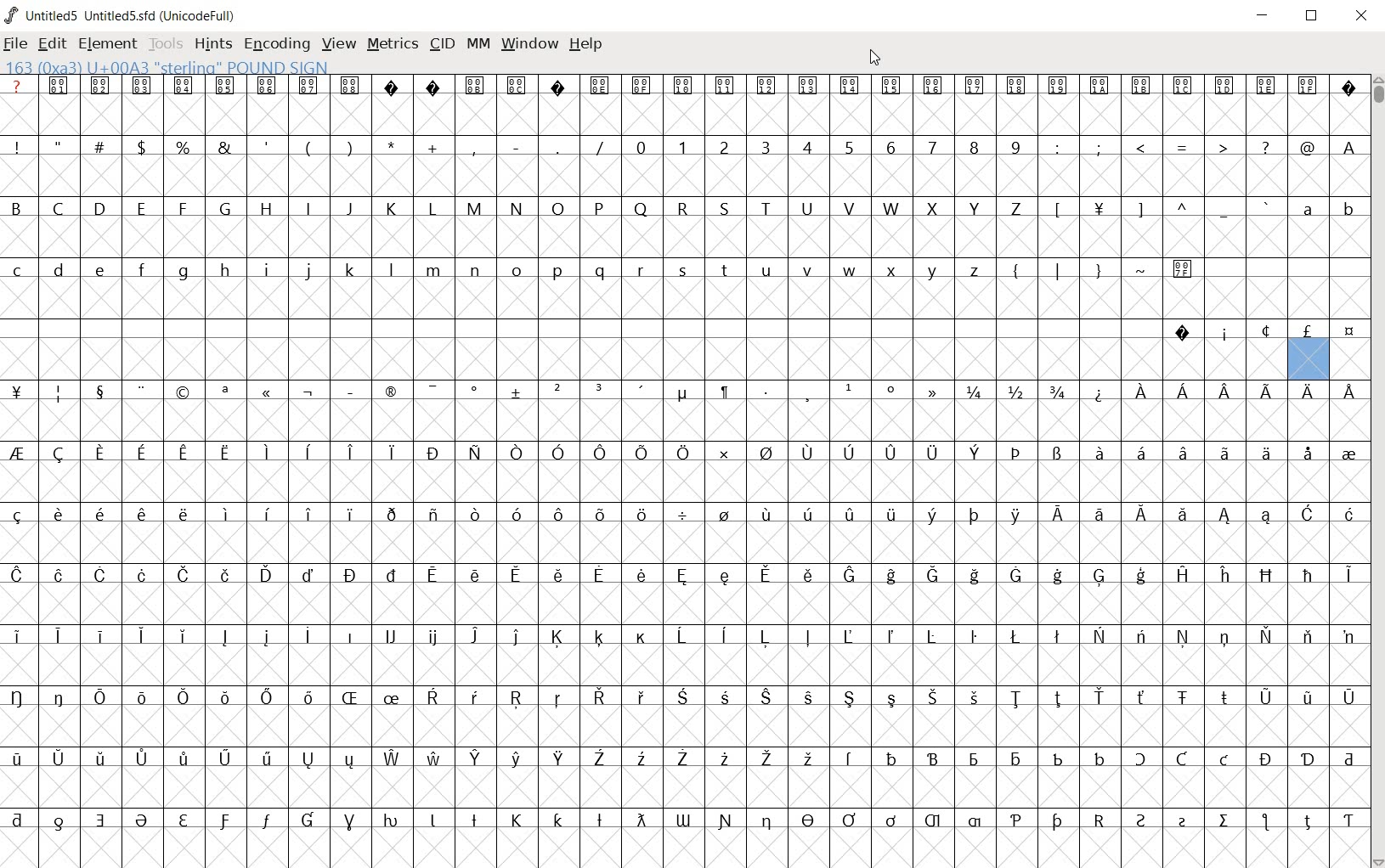  I want to click on Symbol, so click(807, 821).